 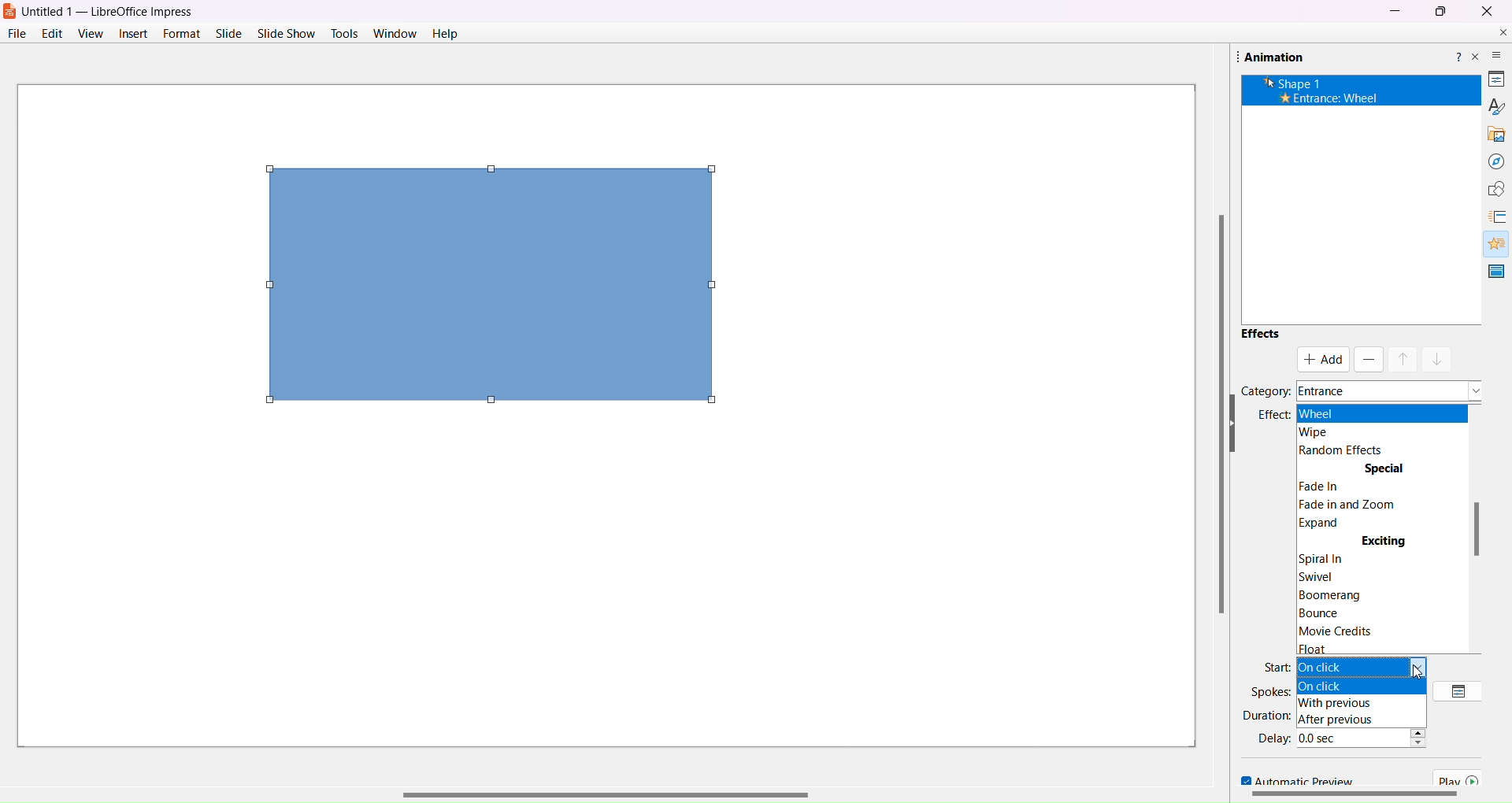 I want to click on Sidebar Settings, so click(x=1488, y=49).